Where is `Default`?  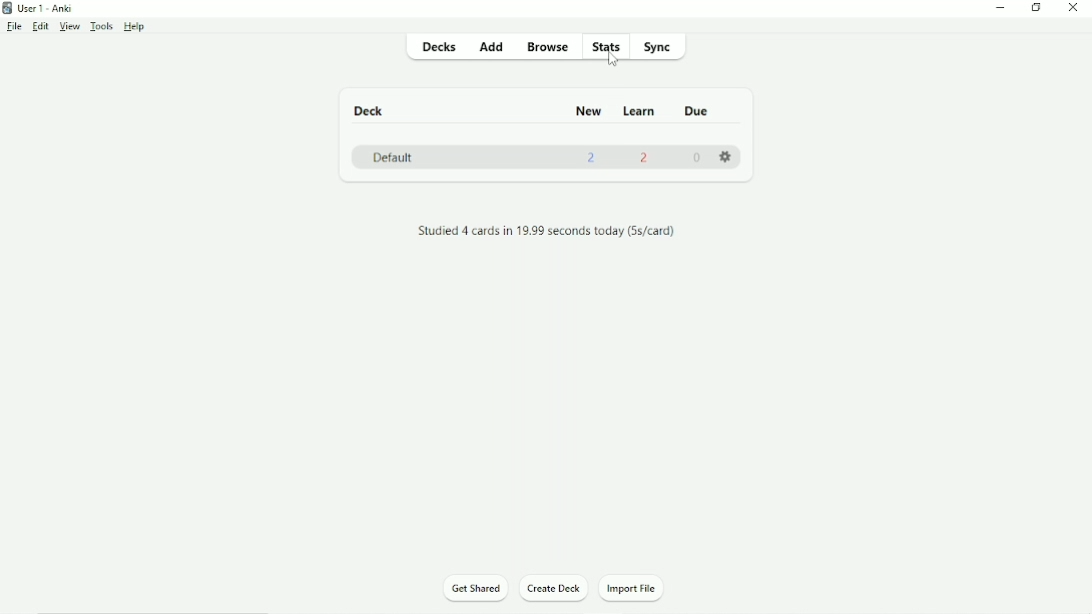
Default is located at coordinates (393, 157).